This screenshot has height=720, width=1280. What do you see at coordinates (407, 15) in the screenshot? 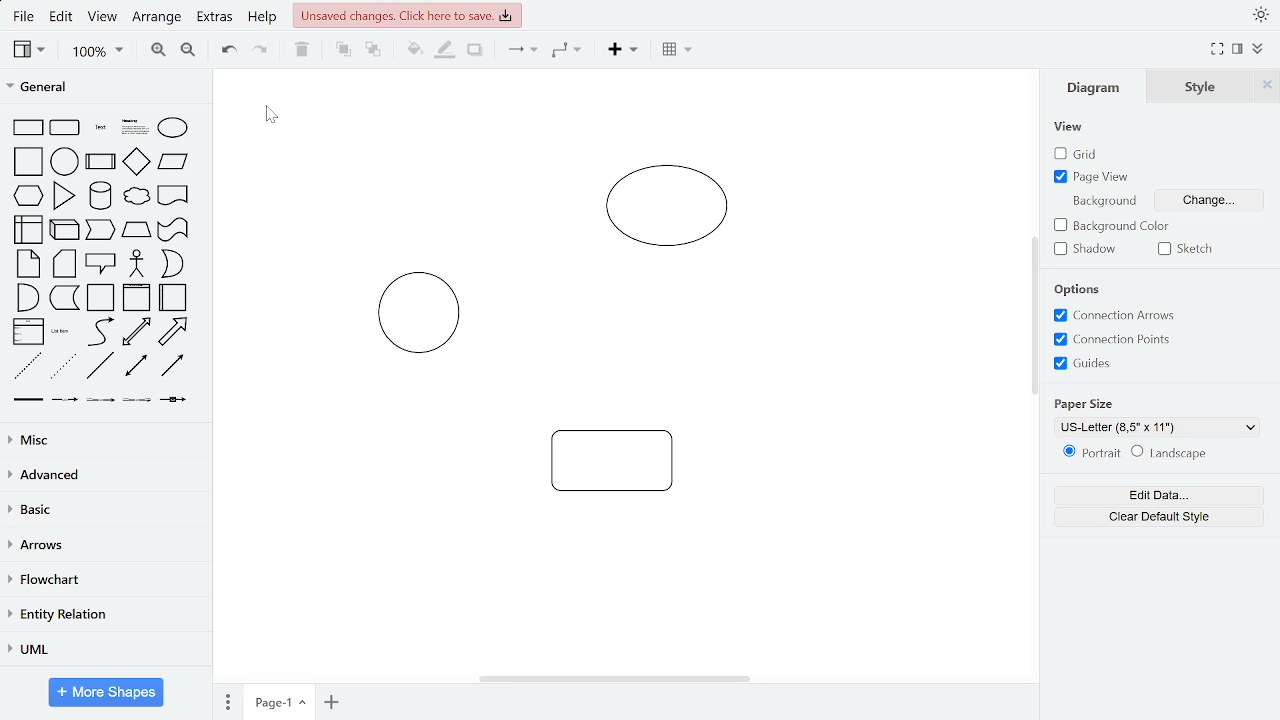
I see `unsaved changes. Click here to save` at bounding box center [407, 15].